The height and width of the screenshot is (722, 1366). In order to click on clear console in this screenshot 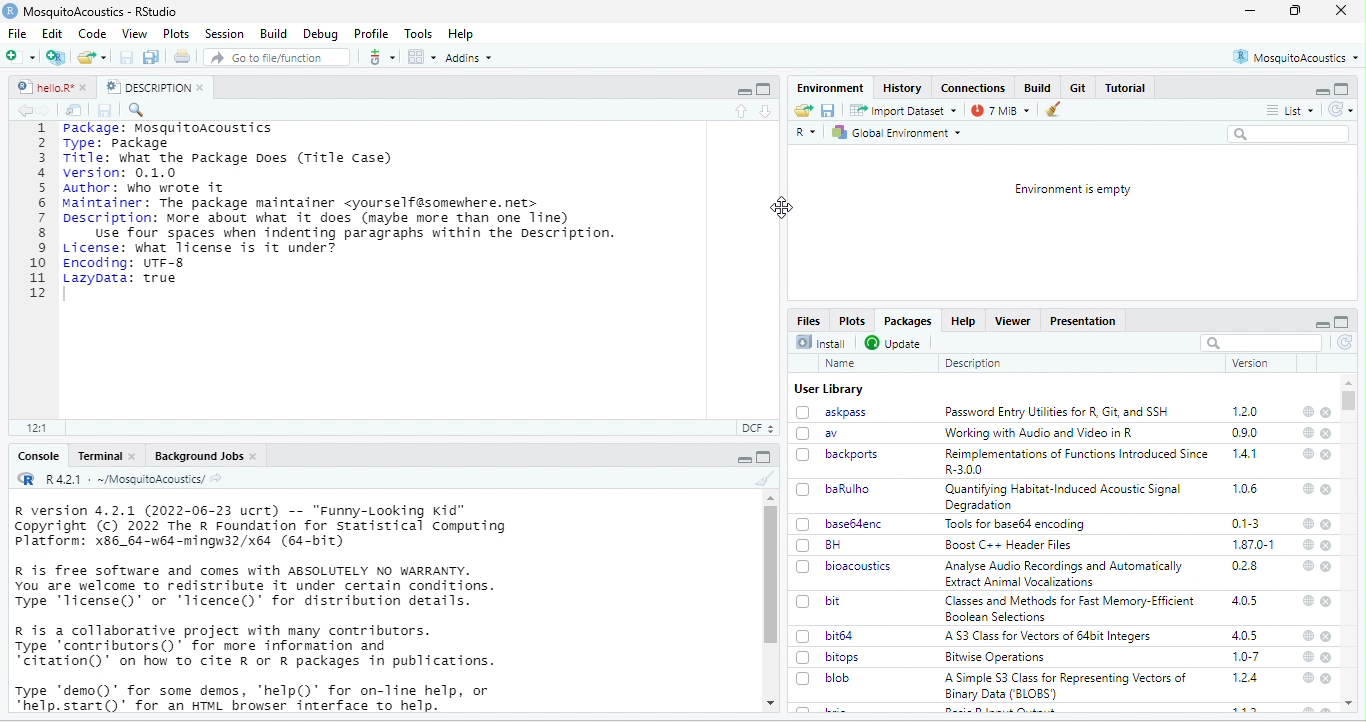, I will do `click(760, 478)`.